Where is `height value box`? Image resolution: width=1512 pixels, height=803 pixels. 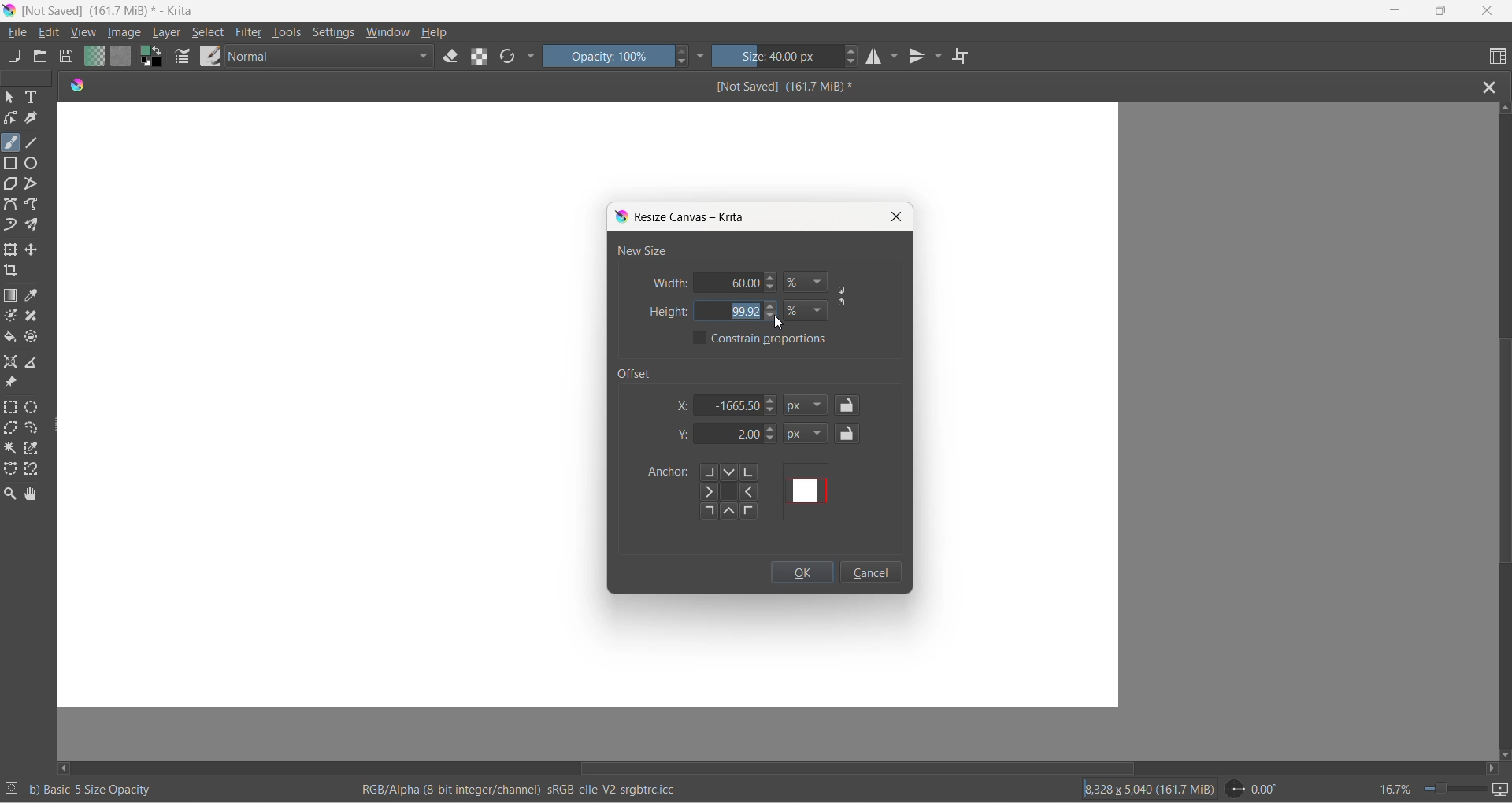
height value box is located at coordinates (710, 312).